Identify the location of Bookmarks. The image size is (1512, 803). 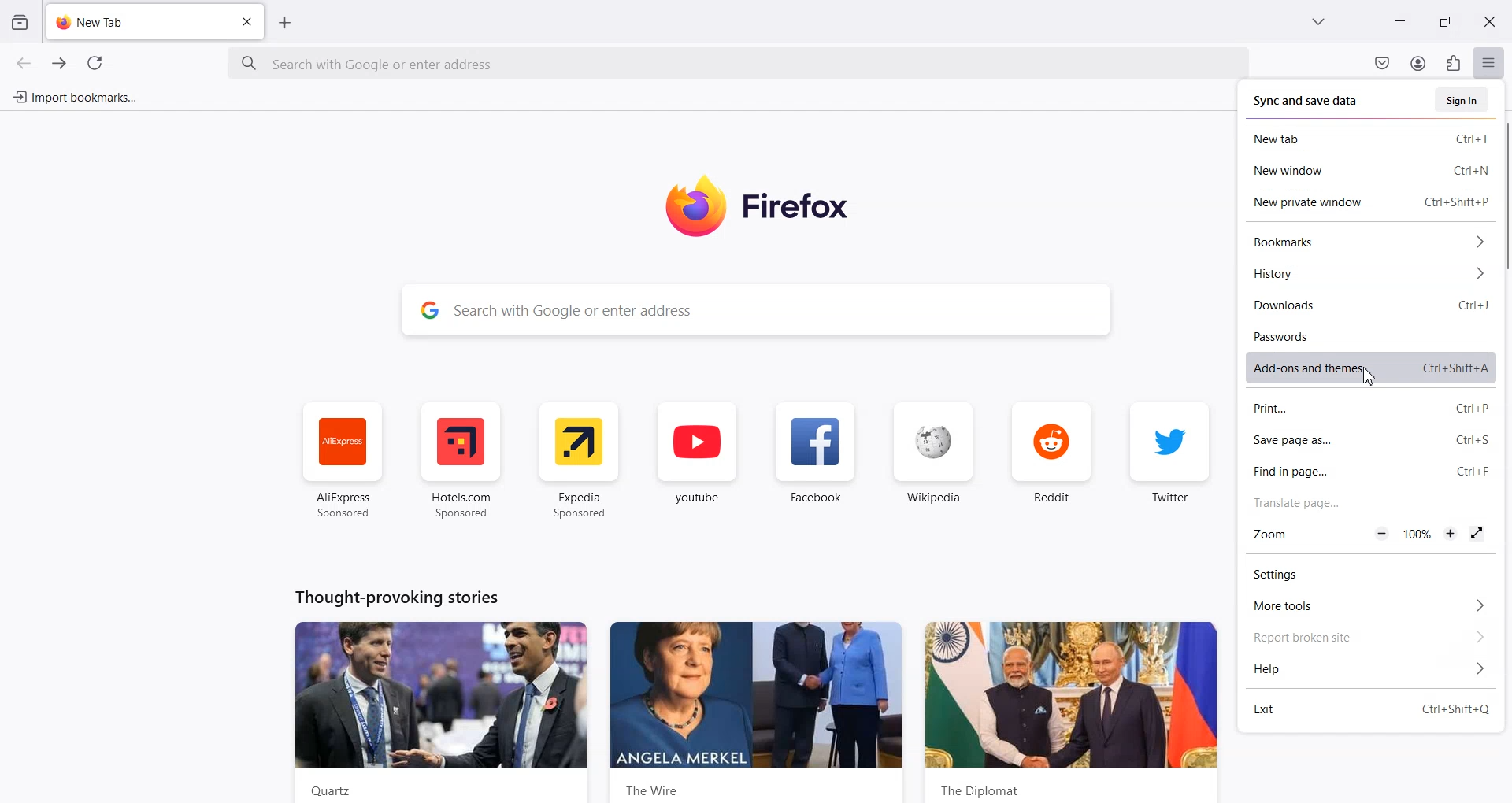
(1367, 242).